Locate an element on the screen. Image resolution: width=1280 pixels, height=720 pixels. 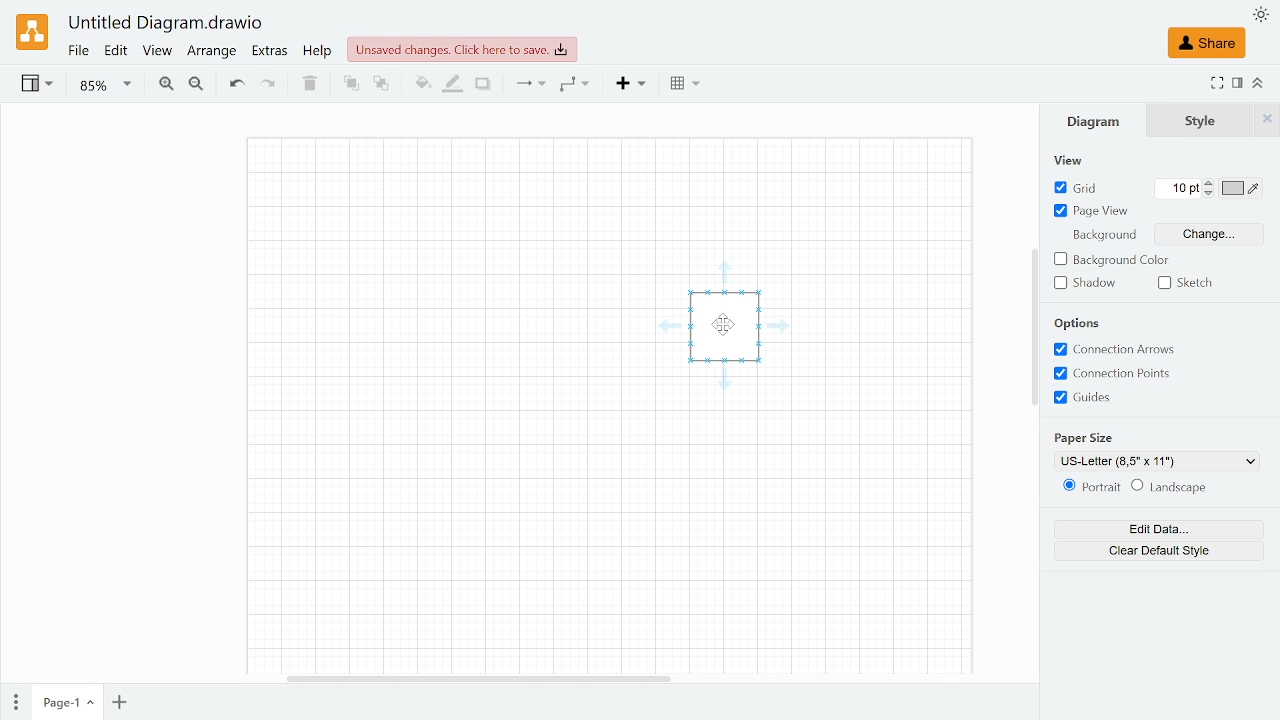
Connection points is located at coordinates (1112, 374).